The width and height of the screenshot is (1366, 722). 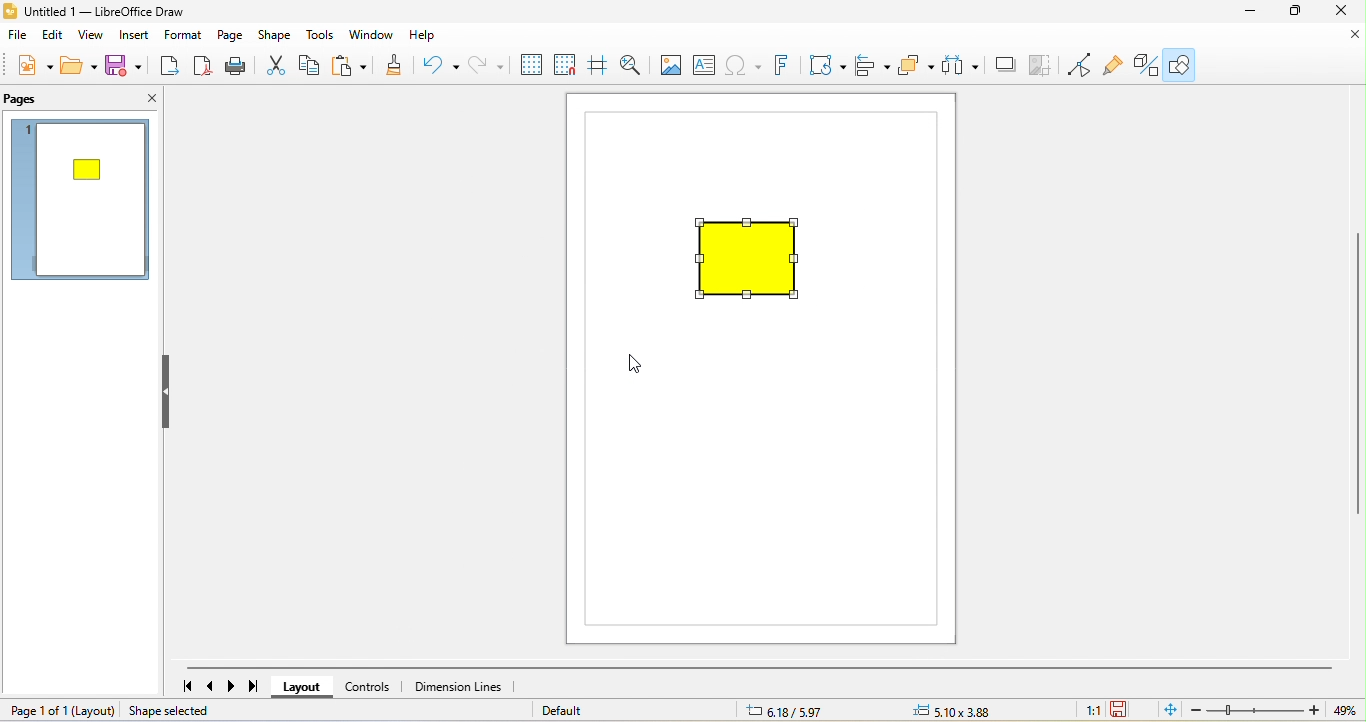 What do you see at coordinates (1244, 12) in the screenshot?
I see `minimize` at bounding box center [1244, 12].